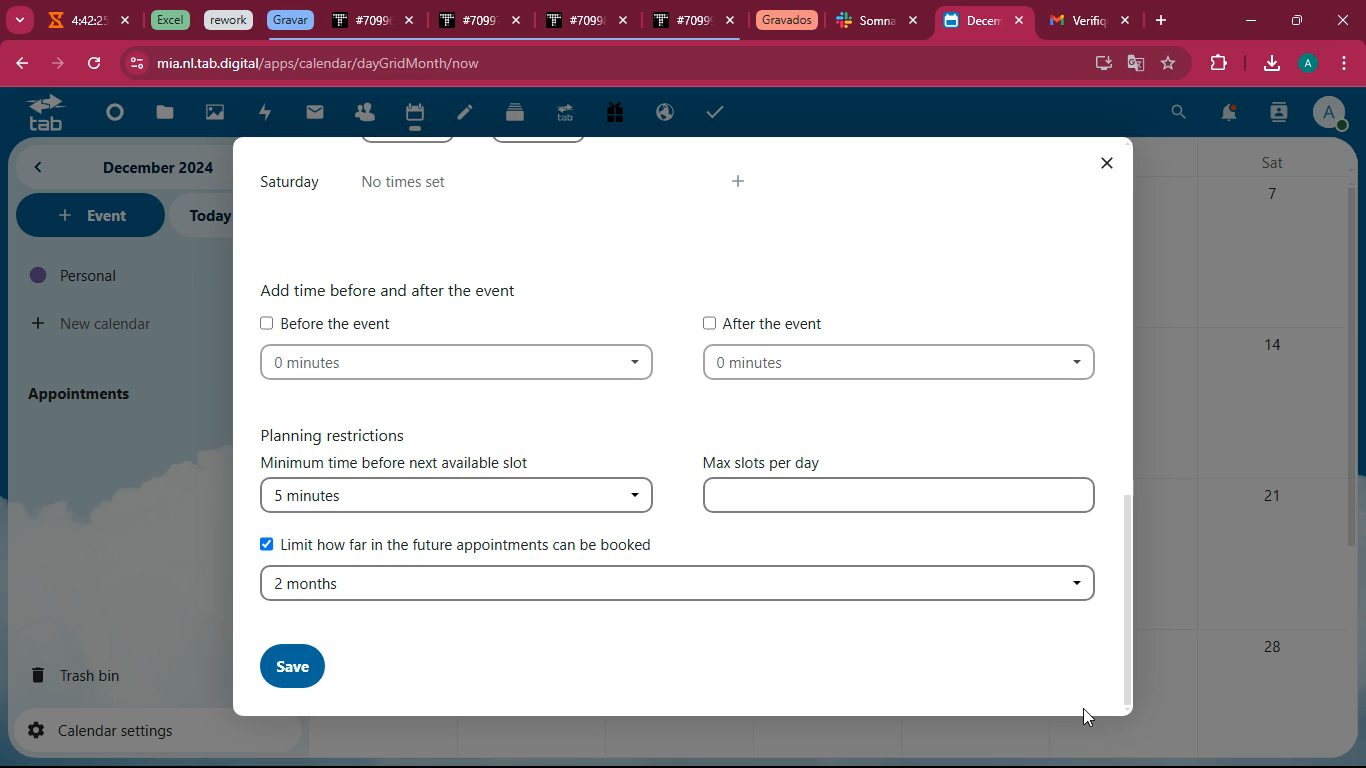 This screenshot has width=1366, height=768. Describe the element at coordinates (421, 185) in the screenshot. I see `no times set` at that location.